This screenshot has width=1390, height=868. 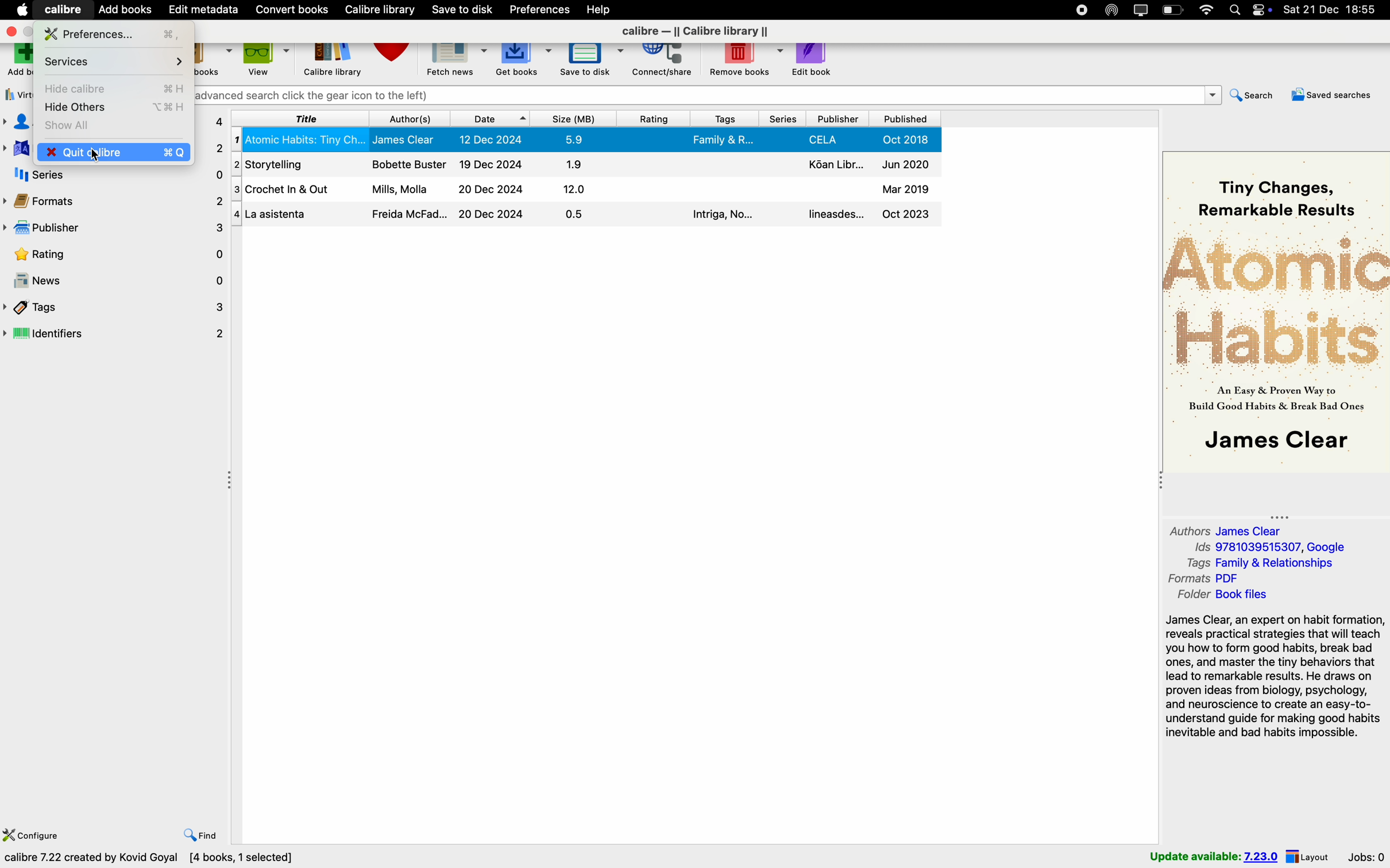 I want to click on Quit calibre, so click(x=59, y=152).